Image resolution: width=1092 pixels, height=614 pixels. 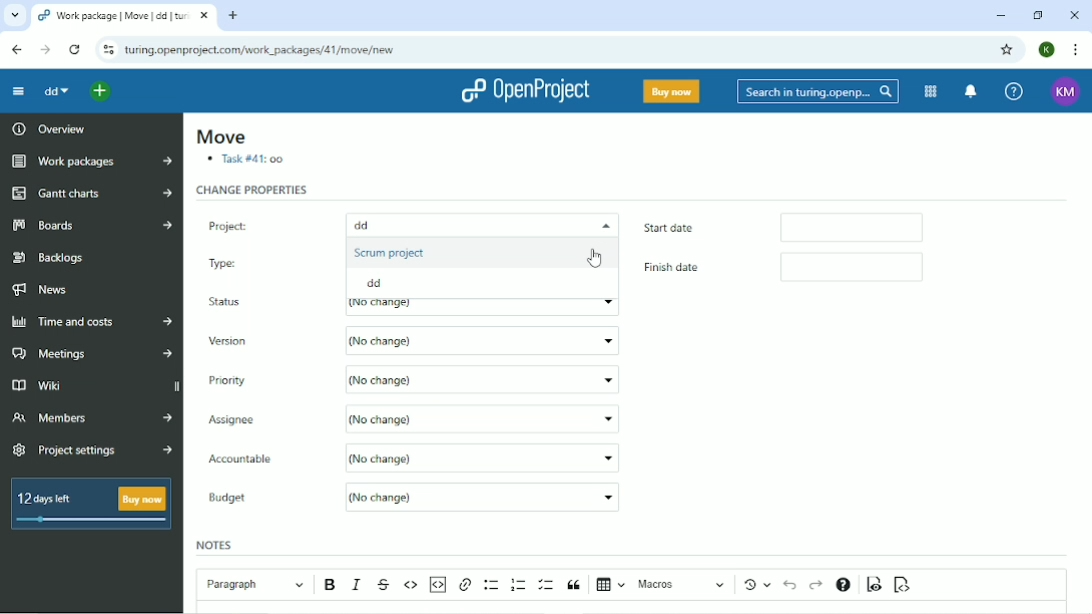 I want to click on Backlogs, so click(x=50, y=258).